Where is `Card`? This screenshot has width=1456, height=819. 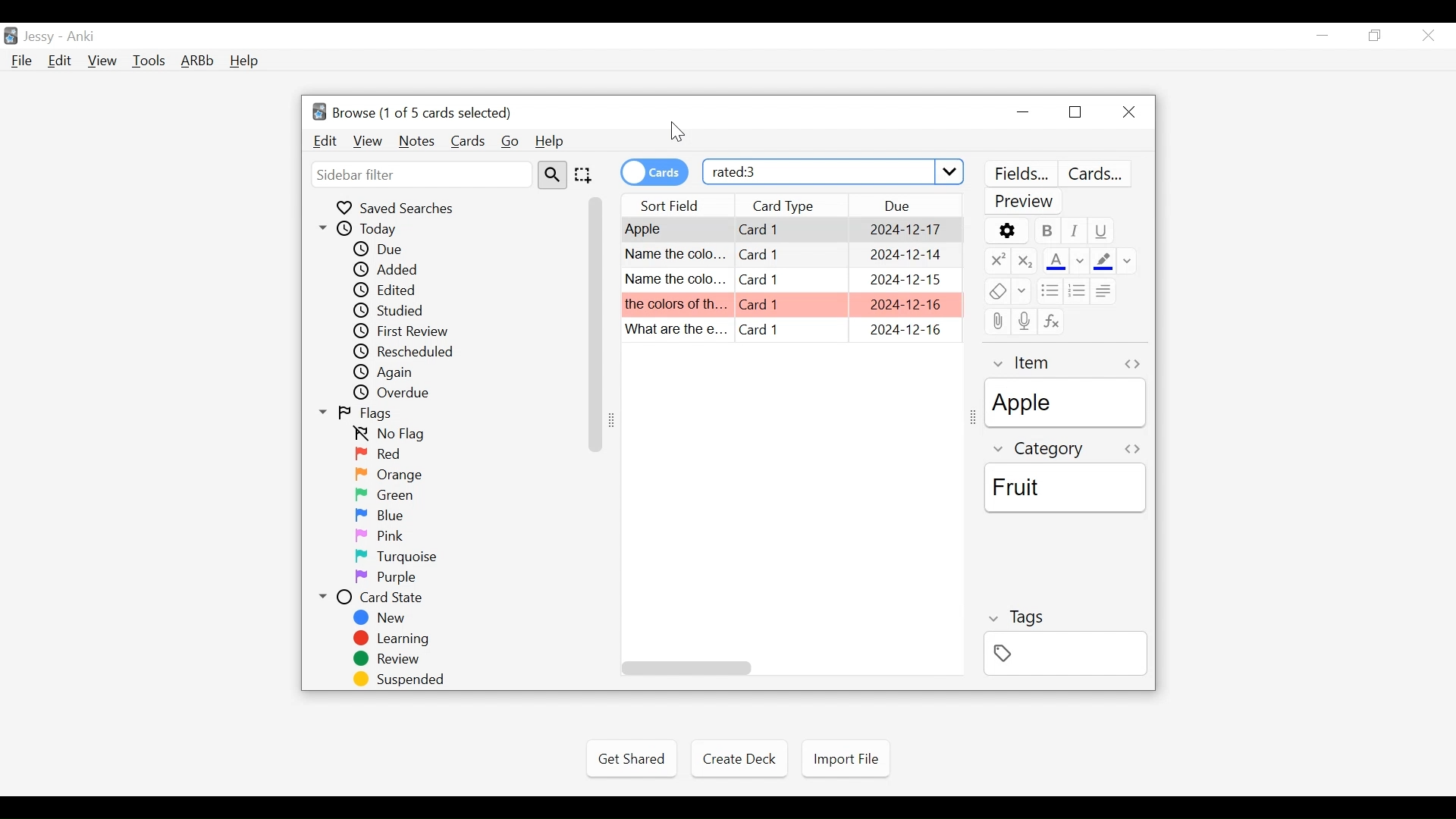 Card is located at coordinates (790, 303).